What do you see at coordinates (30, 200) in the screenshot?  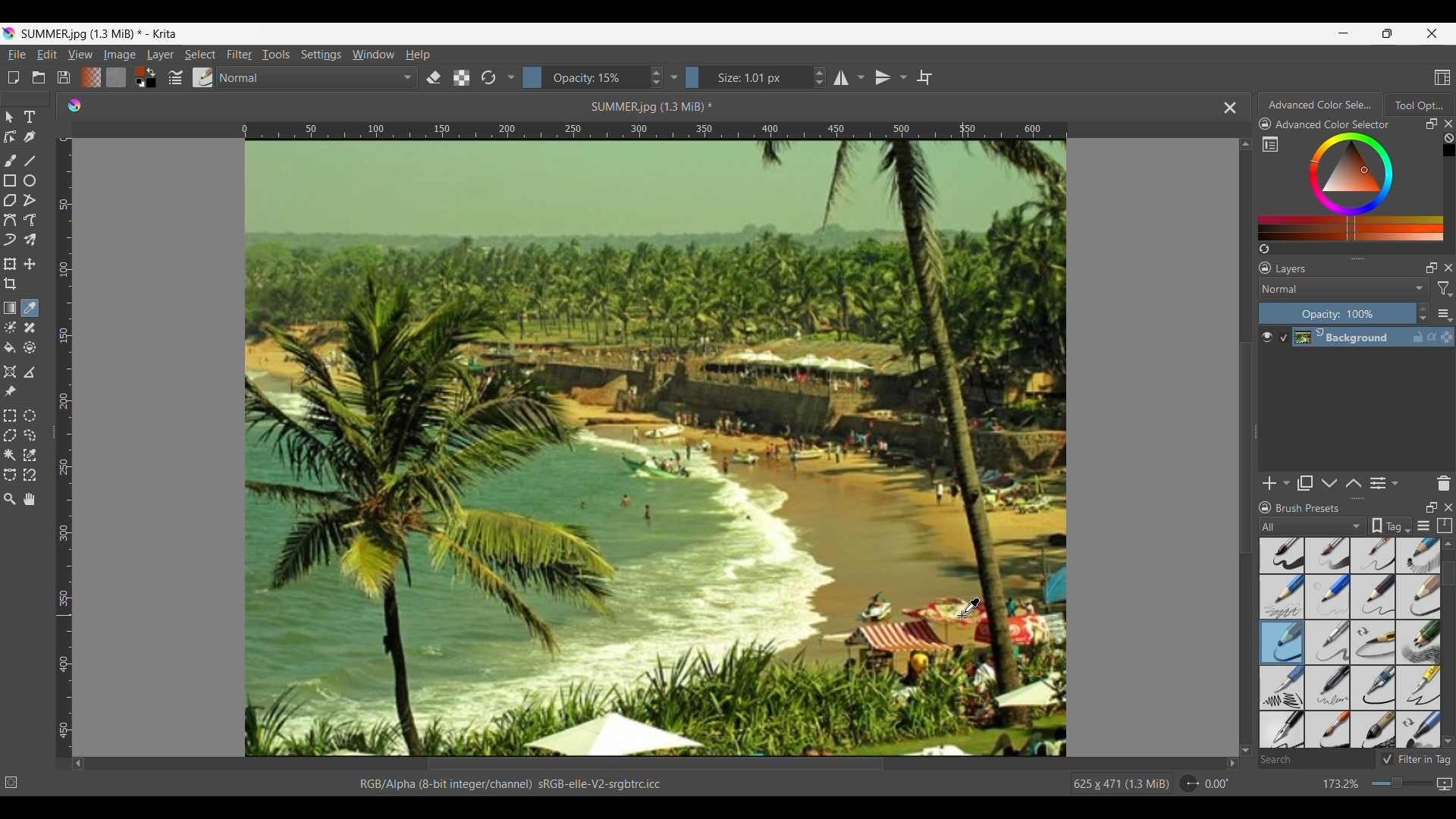 I see `Polyline tool` at bounding box center [30, 200].